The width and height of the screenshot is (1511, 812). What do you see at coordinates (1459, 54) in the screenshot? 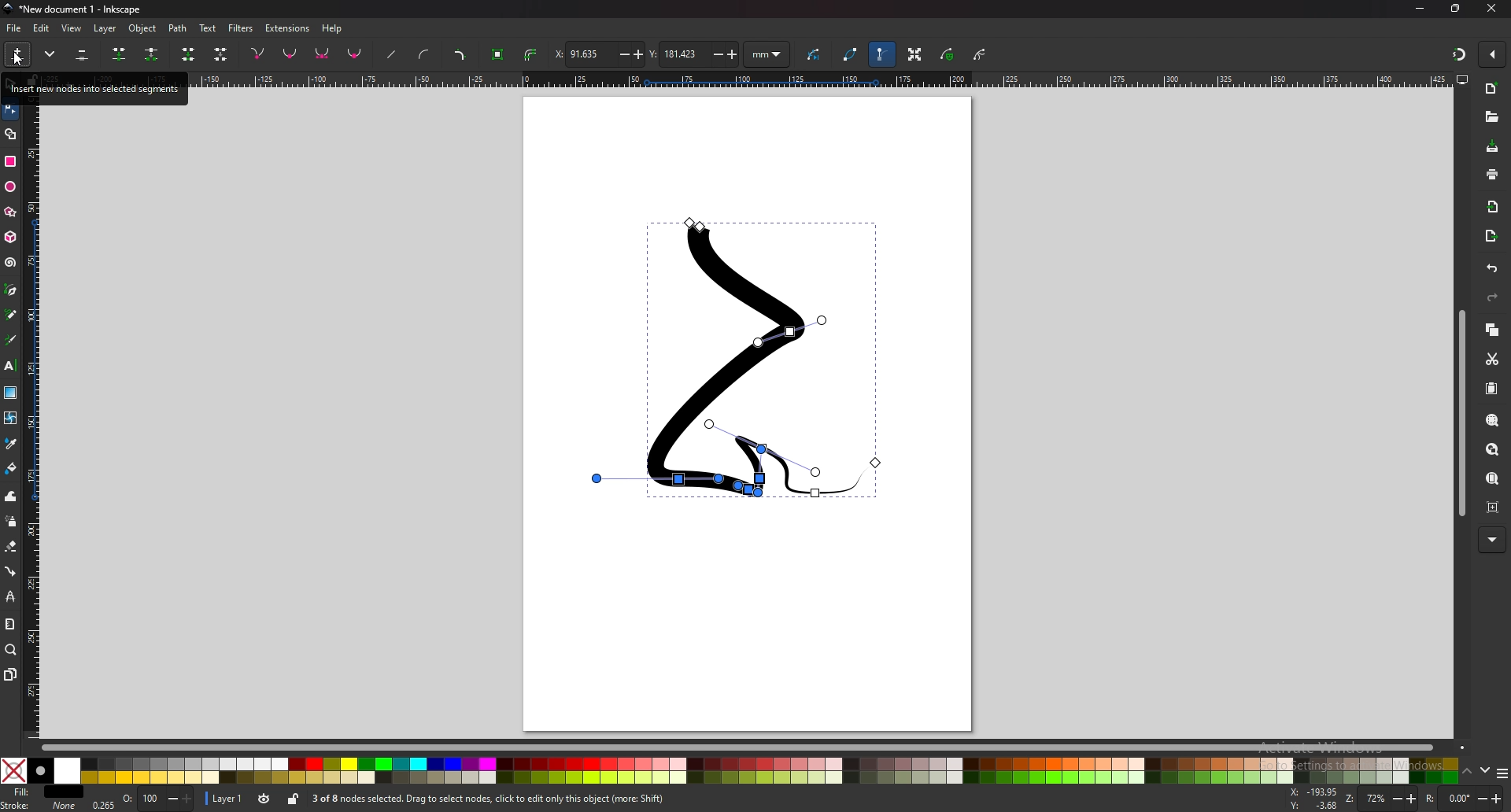
I see `snapper` at bounding box center [1459, 54].